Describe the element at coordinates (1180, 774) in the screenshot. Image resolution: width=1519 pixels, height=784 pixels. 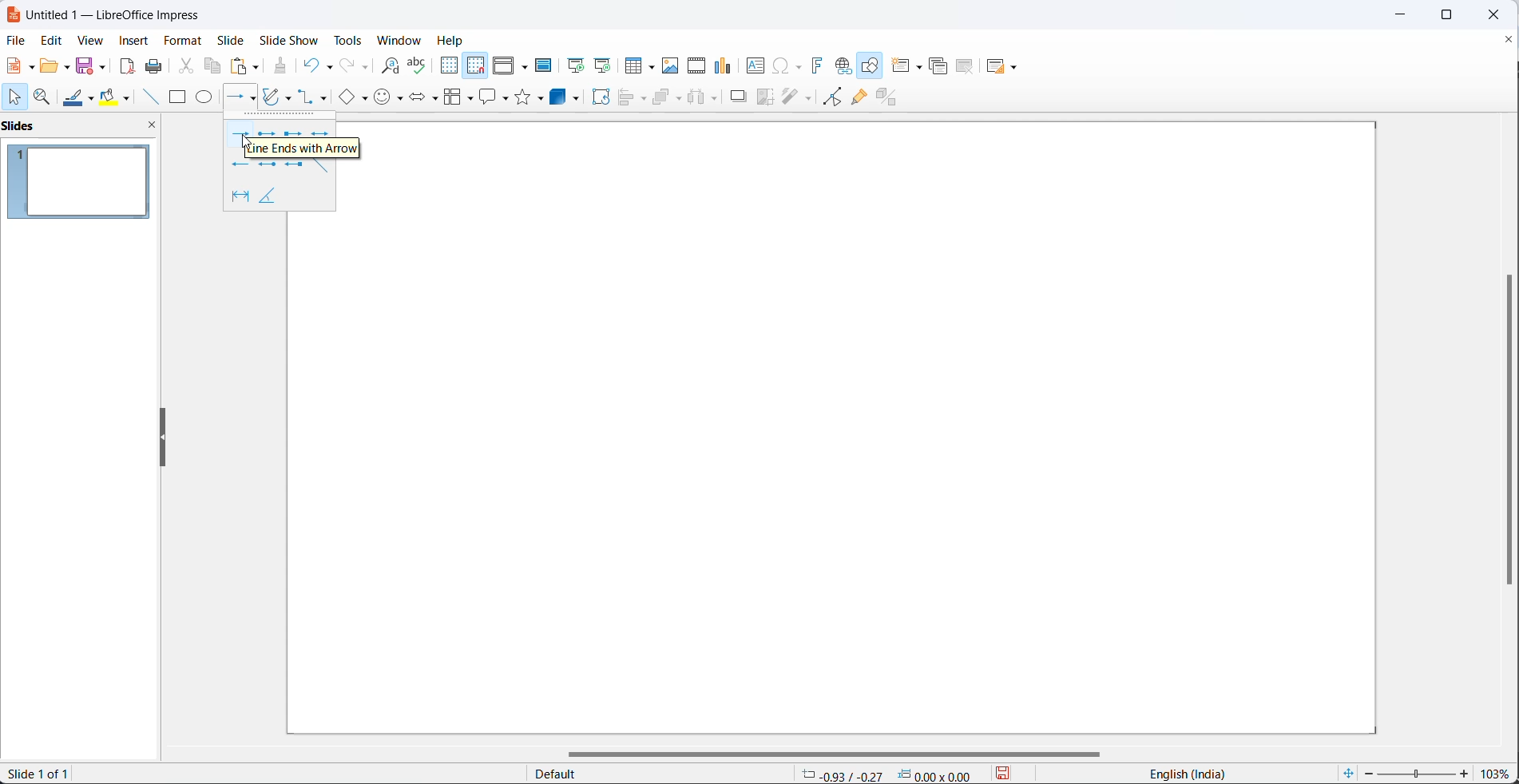
I see `English(India)` at that location.